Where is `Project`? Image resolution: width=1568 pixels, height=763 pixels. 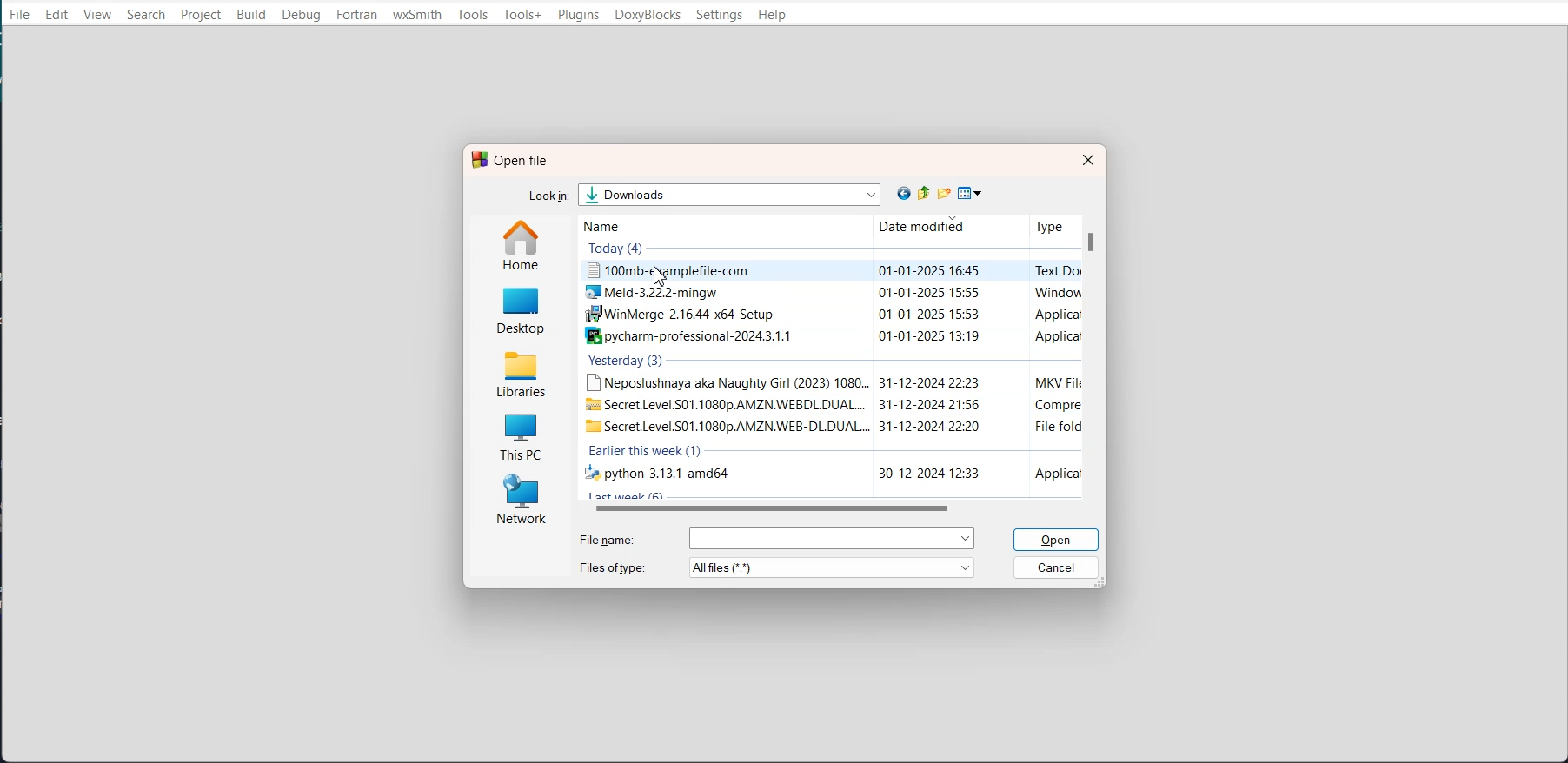
Project is located at coordinates (200, 15).